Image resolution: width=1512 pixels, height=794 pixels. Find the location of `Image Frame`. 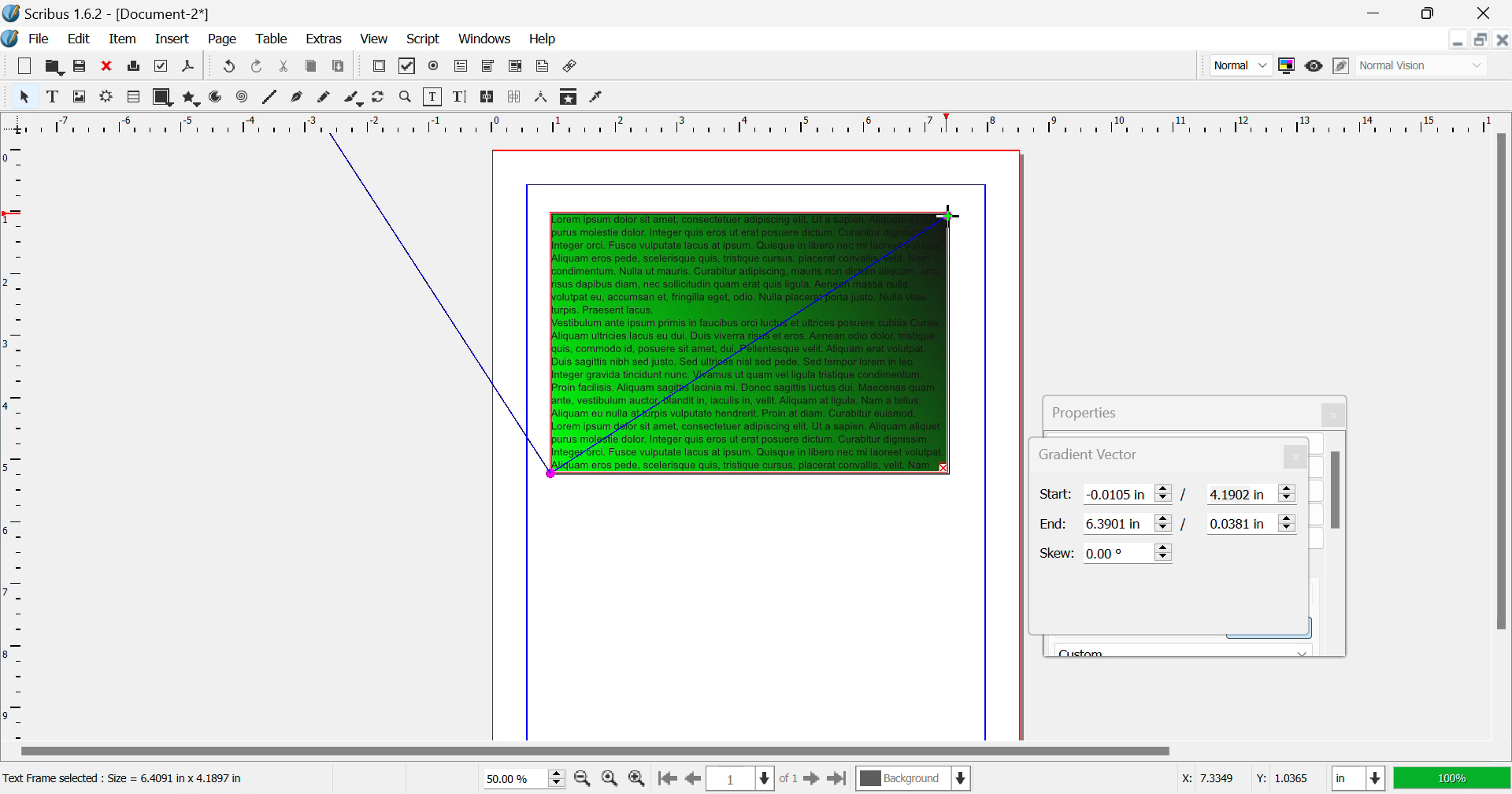

Image Frame is located at coordinates (79, 96).